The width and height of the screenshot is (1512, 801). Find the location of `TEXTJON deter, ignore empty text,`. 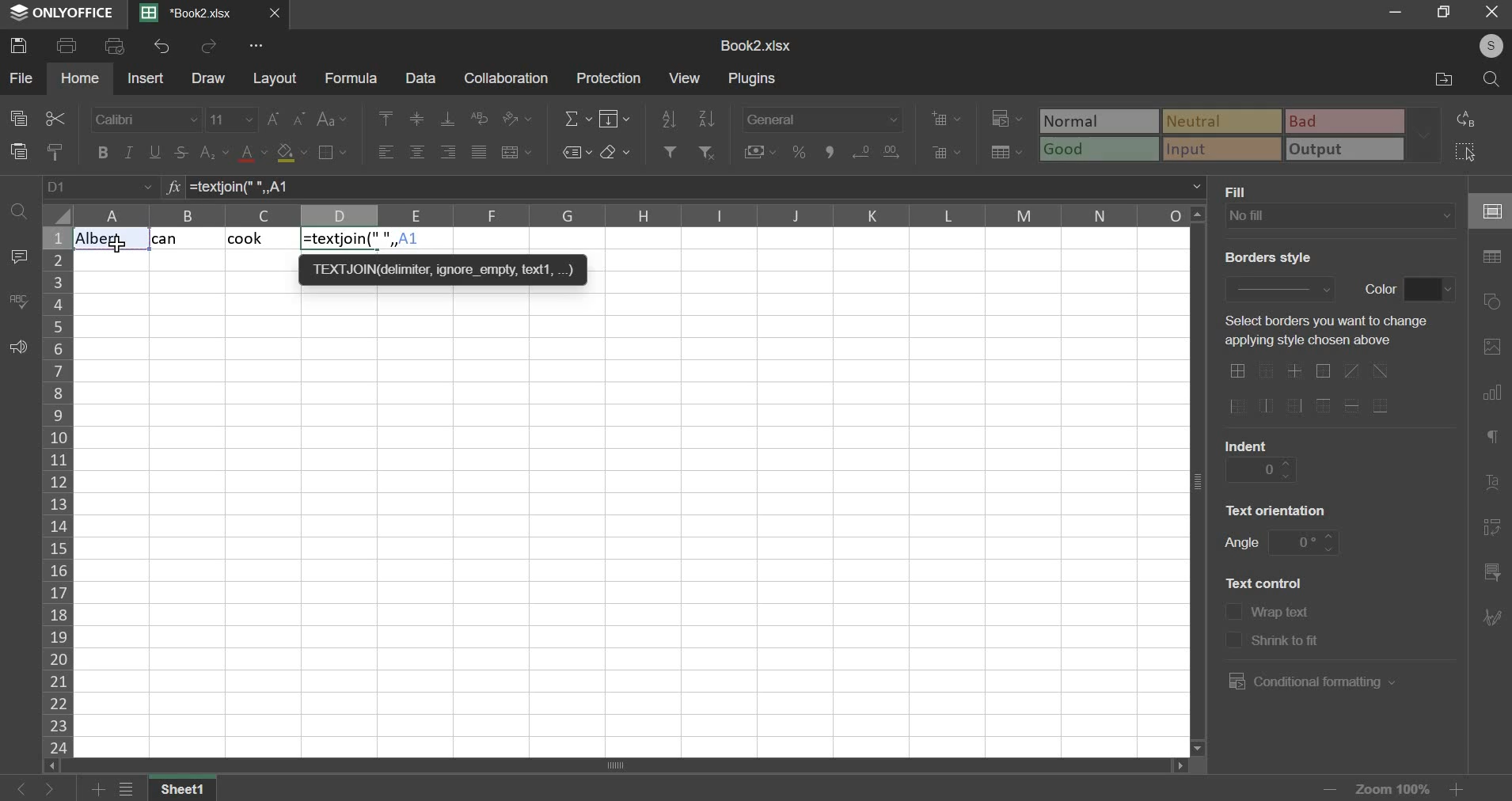

TEXTJON deter, ignore empty text, is located at coordinates (443, 268).